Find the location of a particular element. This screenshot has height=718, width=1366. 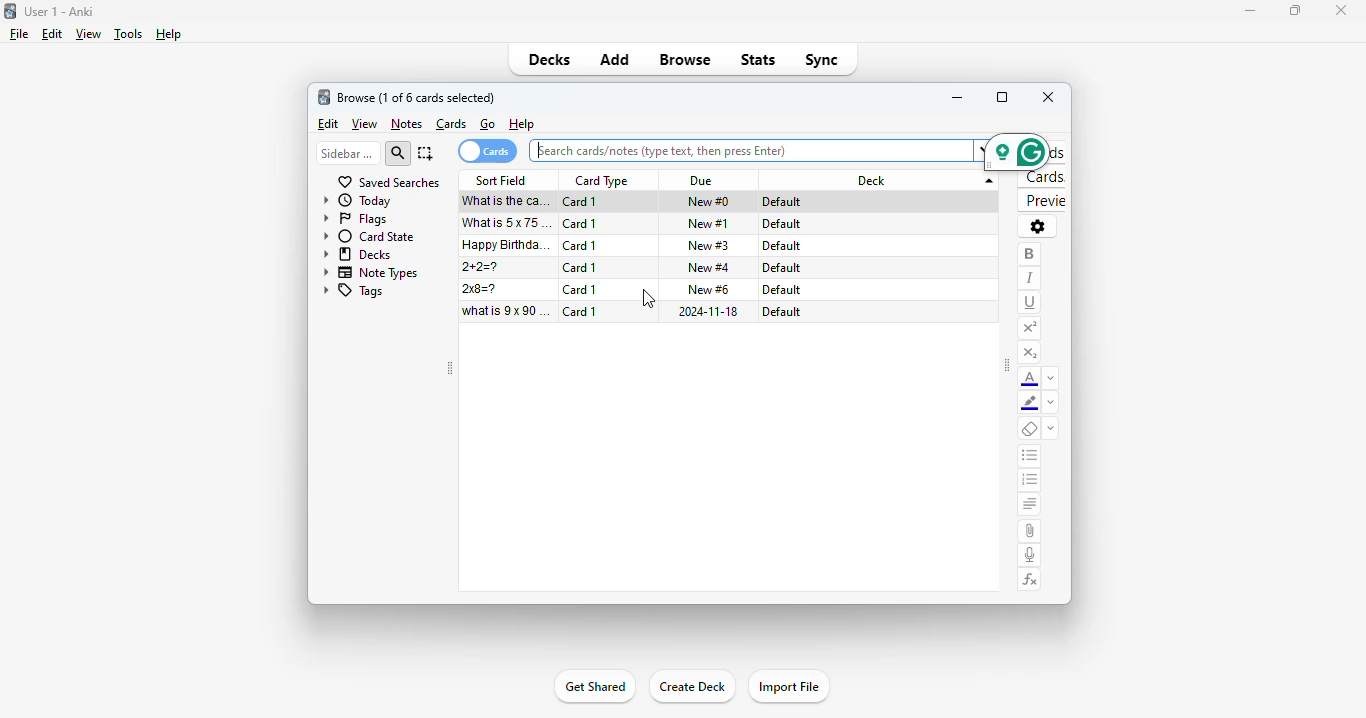

change color is located at coordinates (1051, 404).